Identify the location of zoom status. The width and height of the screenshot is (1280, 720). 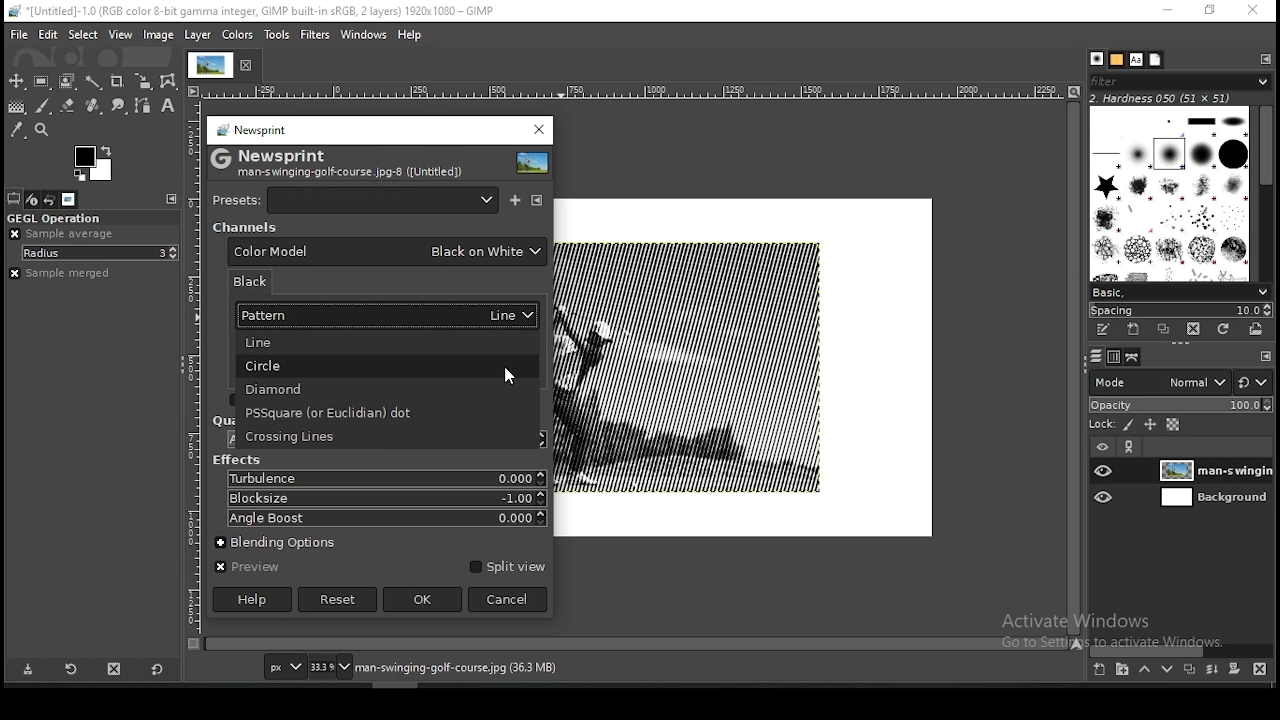
(329, 666).